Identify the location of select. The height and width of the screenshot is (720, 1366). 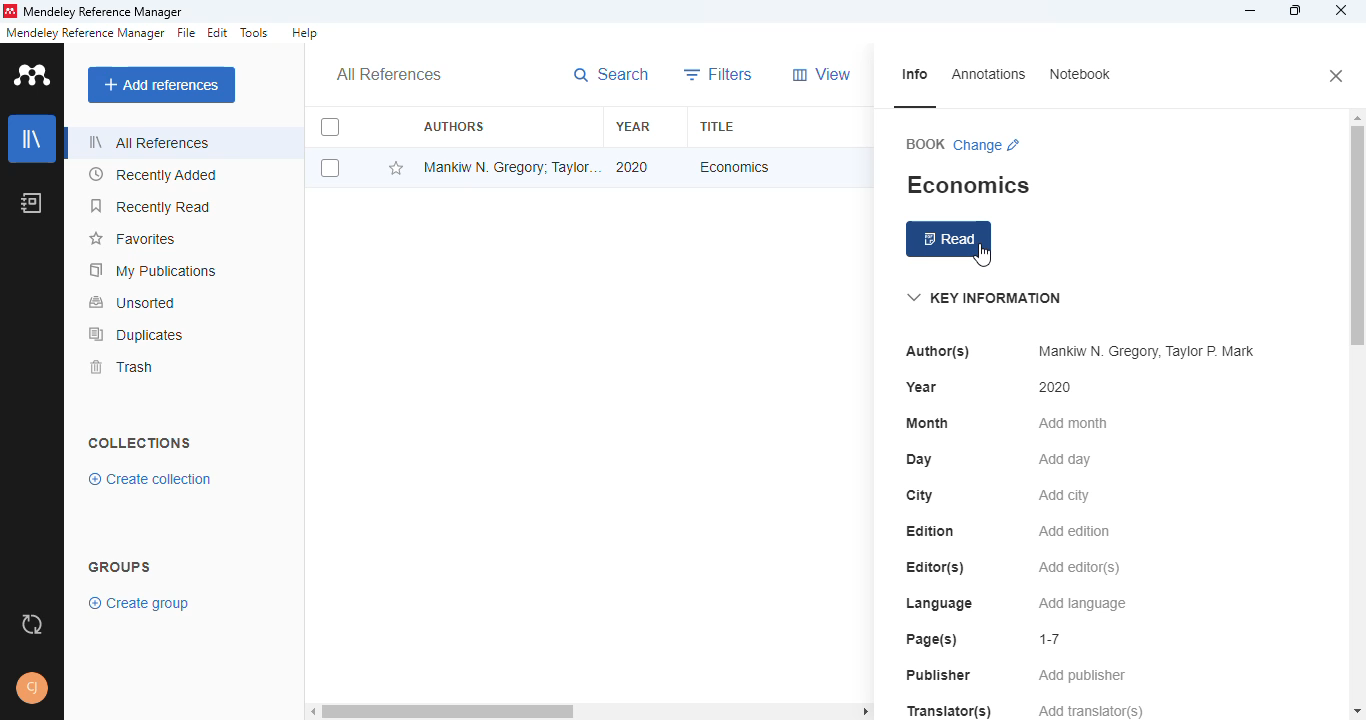
(330, 127).